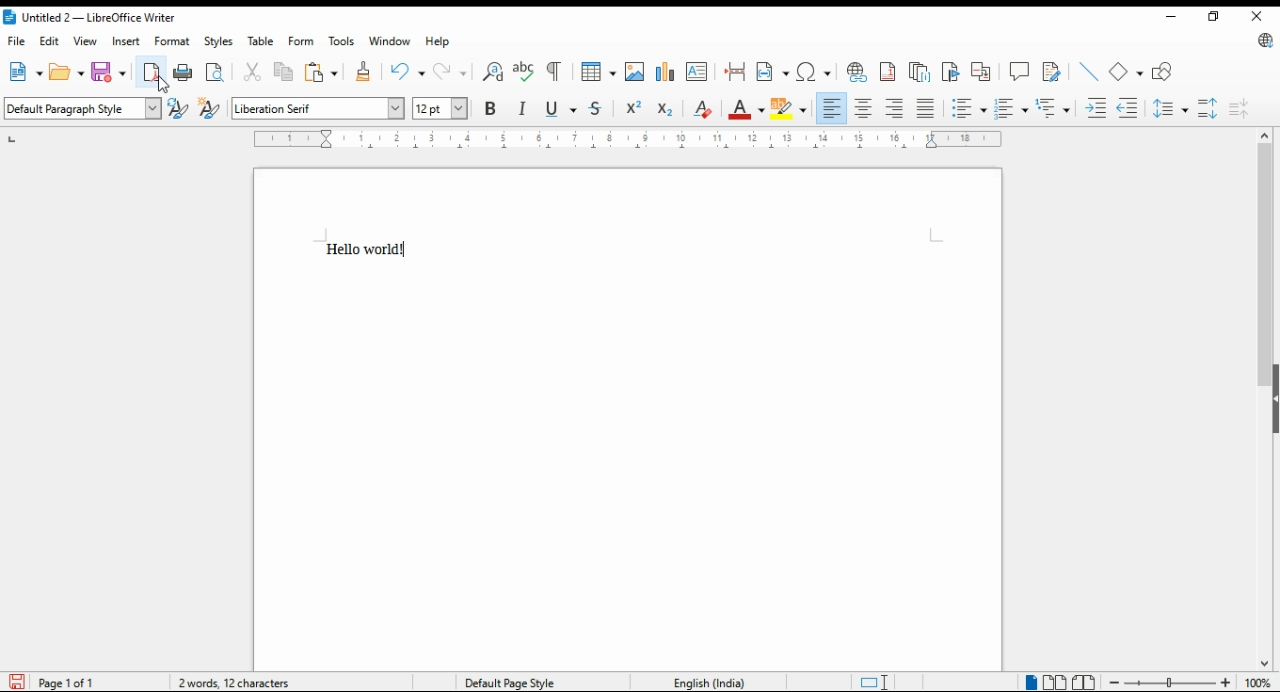 Image resolution: width=1280 pixels, height=692 pixels. Describe the element at coordinates (215, 72) in the screenshot. I see `toggle print preview` at that location.